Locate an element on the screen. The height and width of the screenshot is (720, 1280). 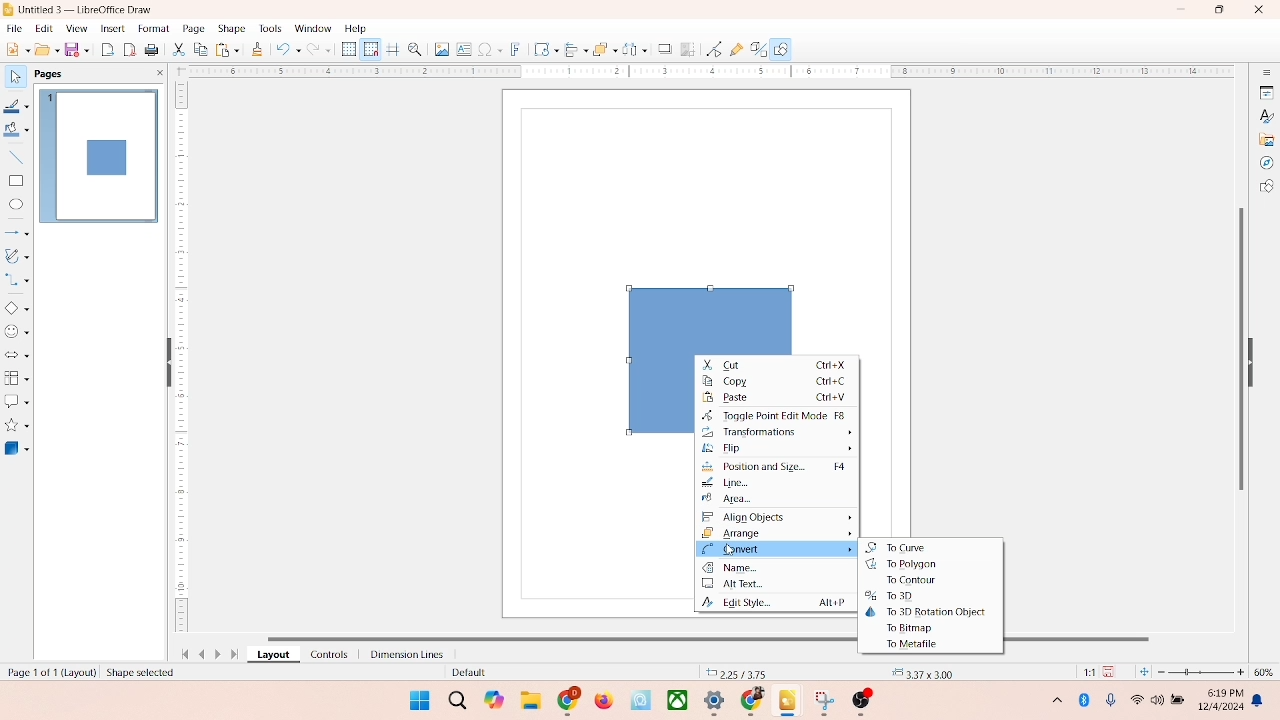
zoom percentage is located at coordinates (1267, 672).